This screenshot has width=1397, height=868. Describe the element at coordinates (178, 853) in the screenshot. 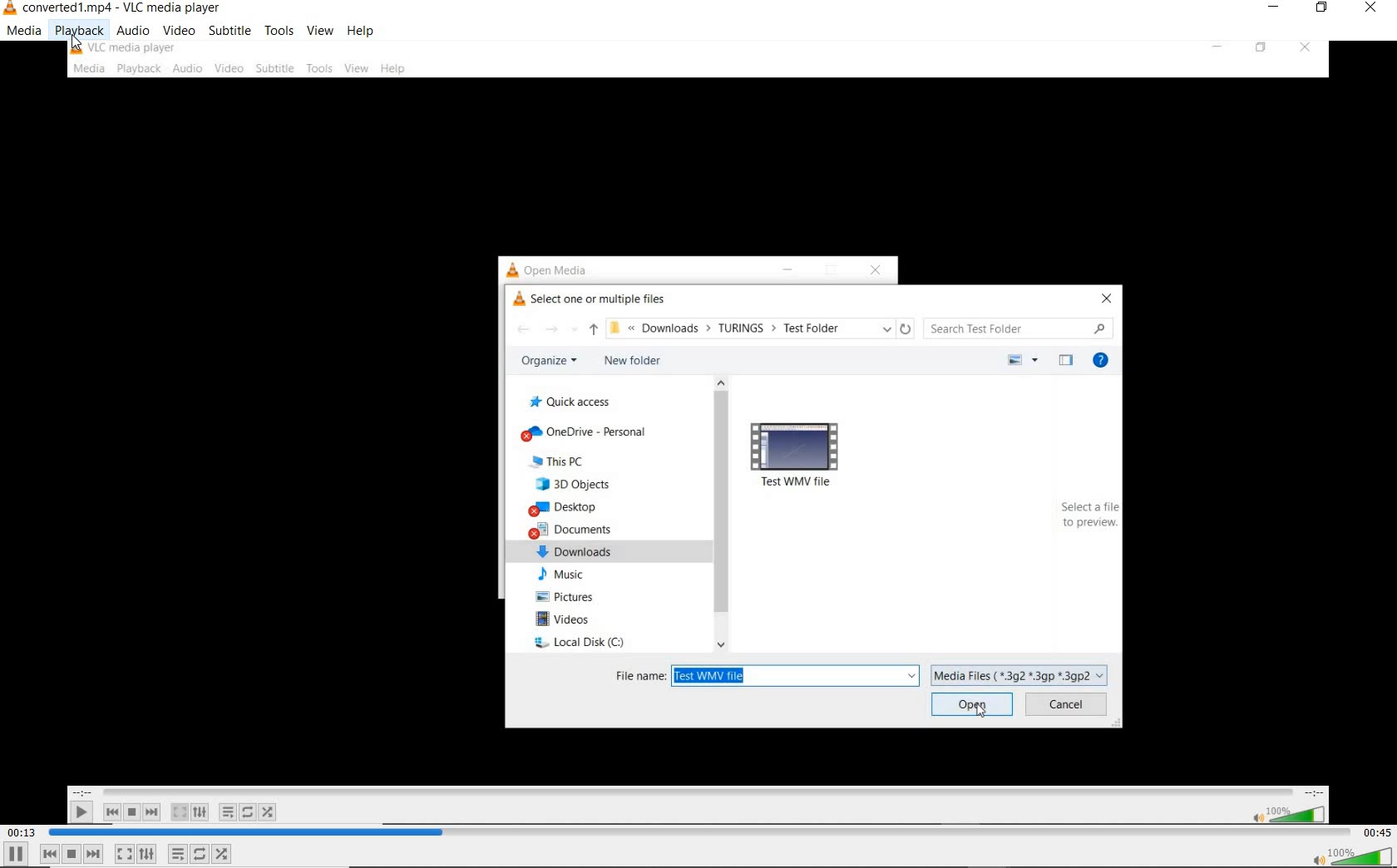

I see `toggle playlist` at that location.